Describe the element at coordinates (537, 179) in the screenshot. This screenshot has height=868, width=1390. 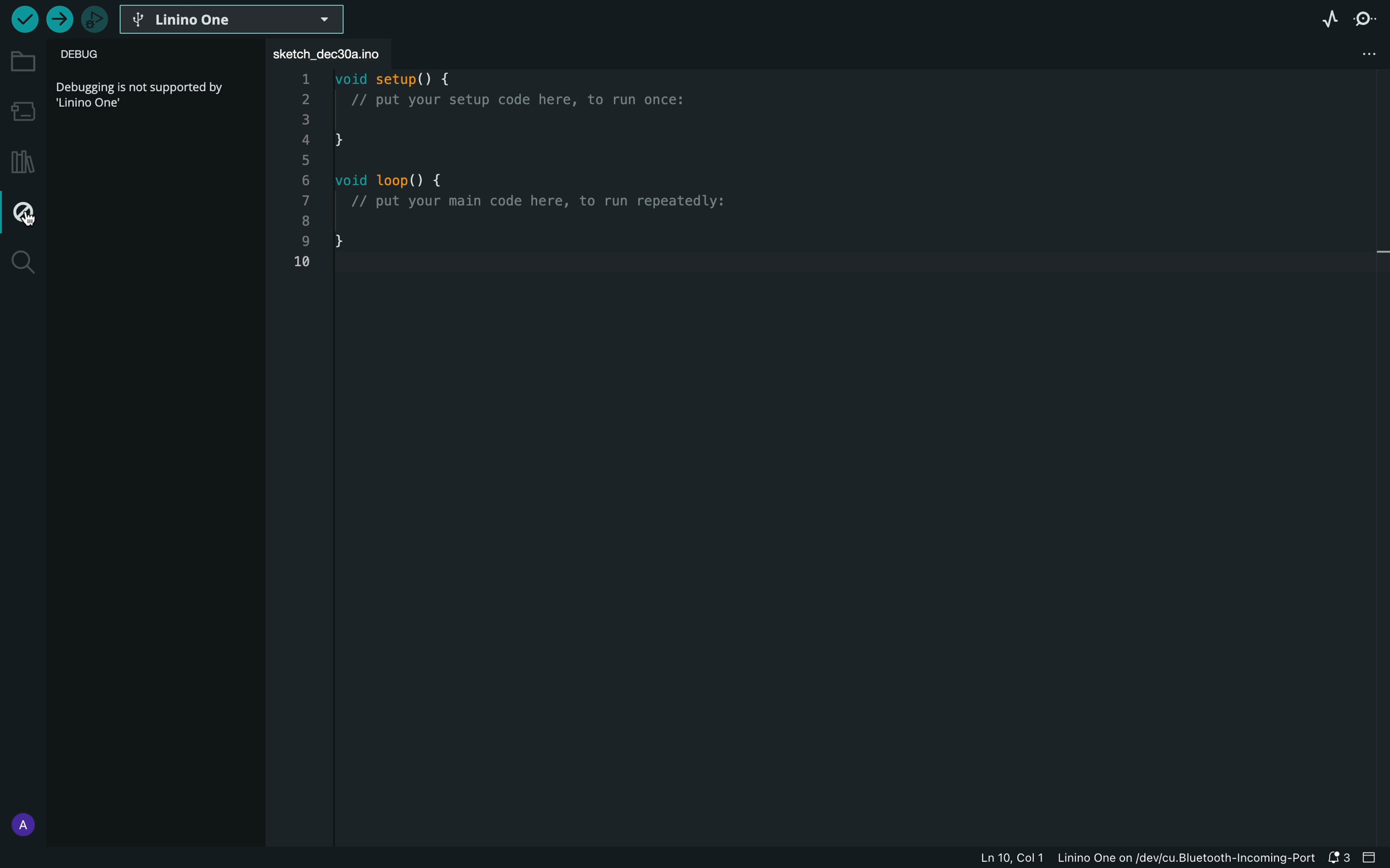
I see `code` at that location.